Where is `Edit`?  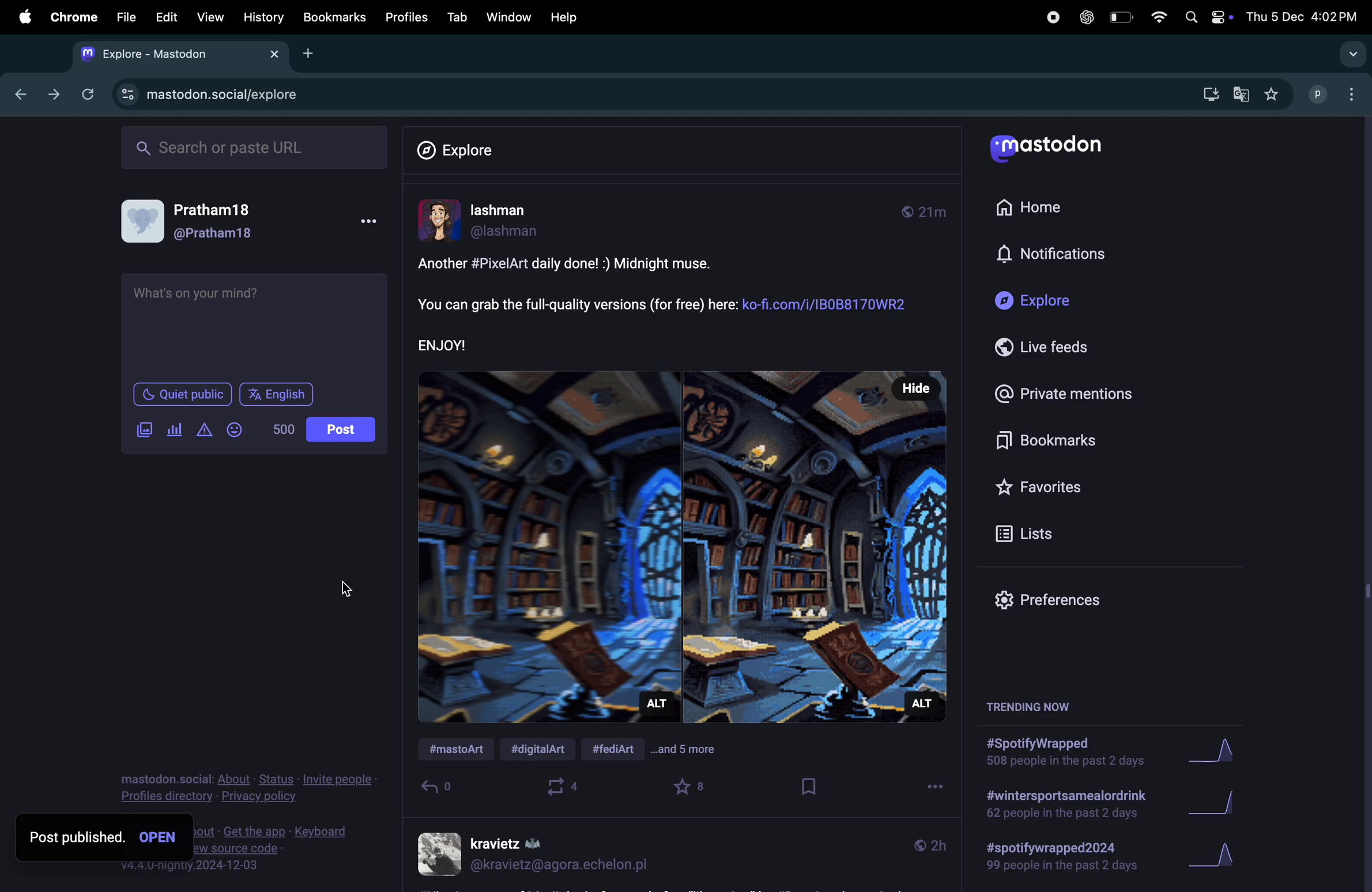
Edit is located at coordinates (166, 20).